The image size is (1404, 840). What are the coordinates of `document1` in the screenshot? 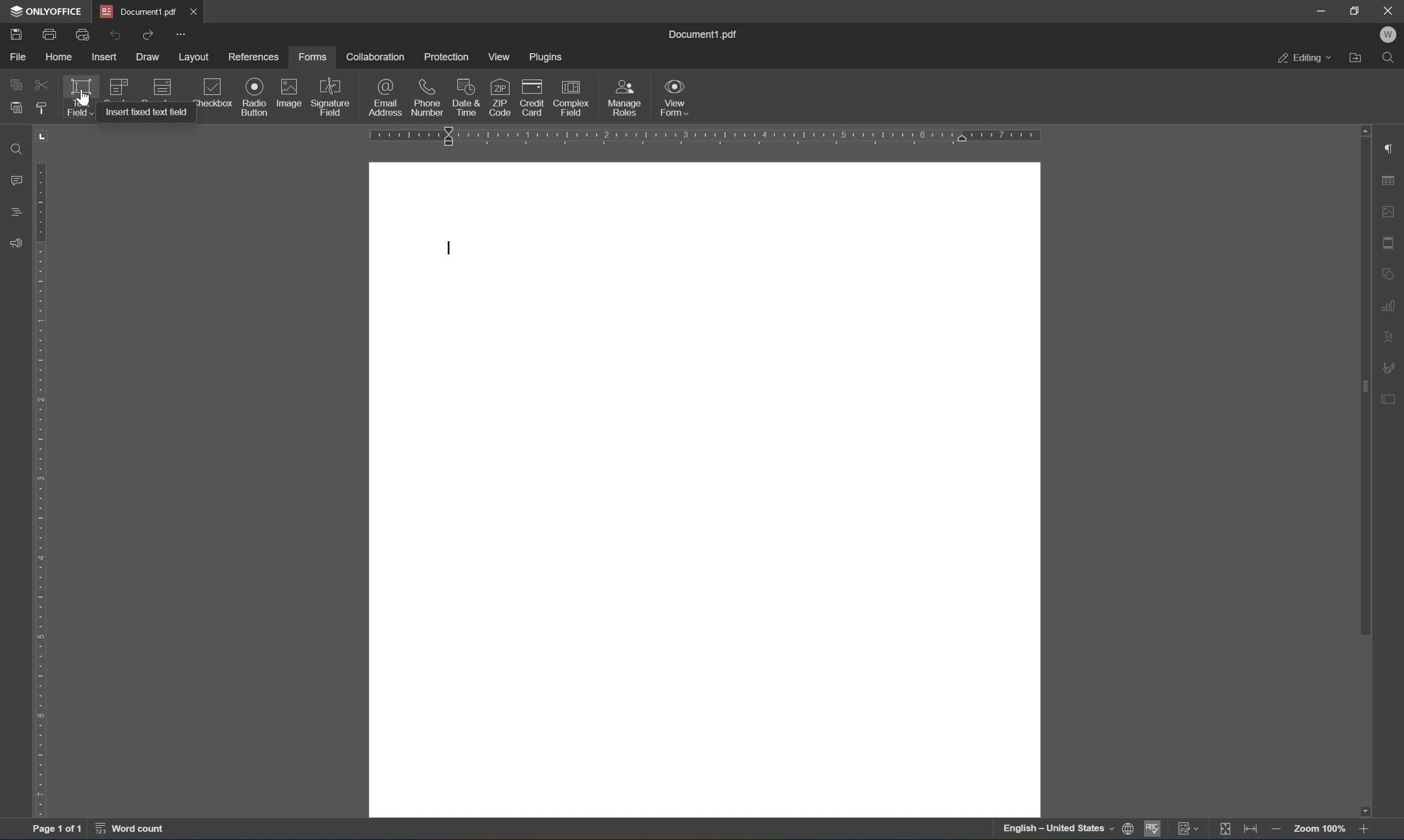 It's located at (143, 11).